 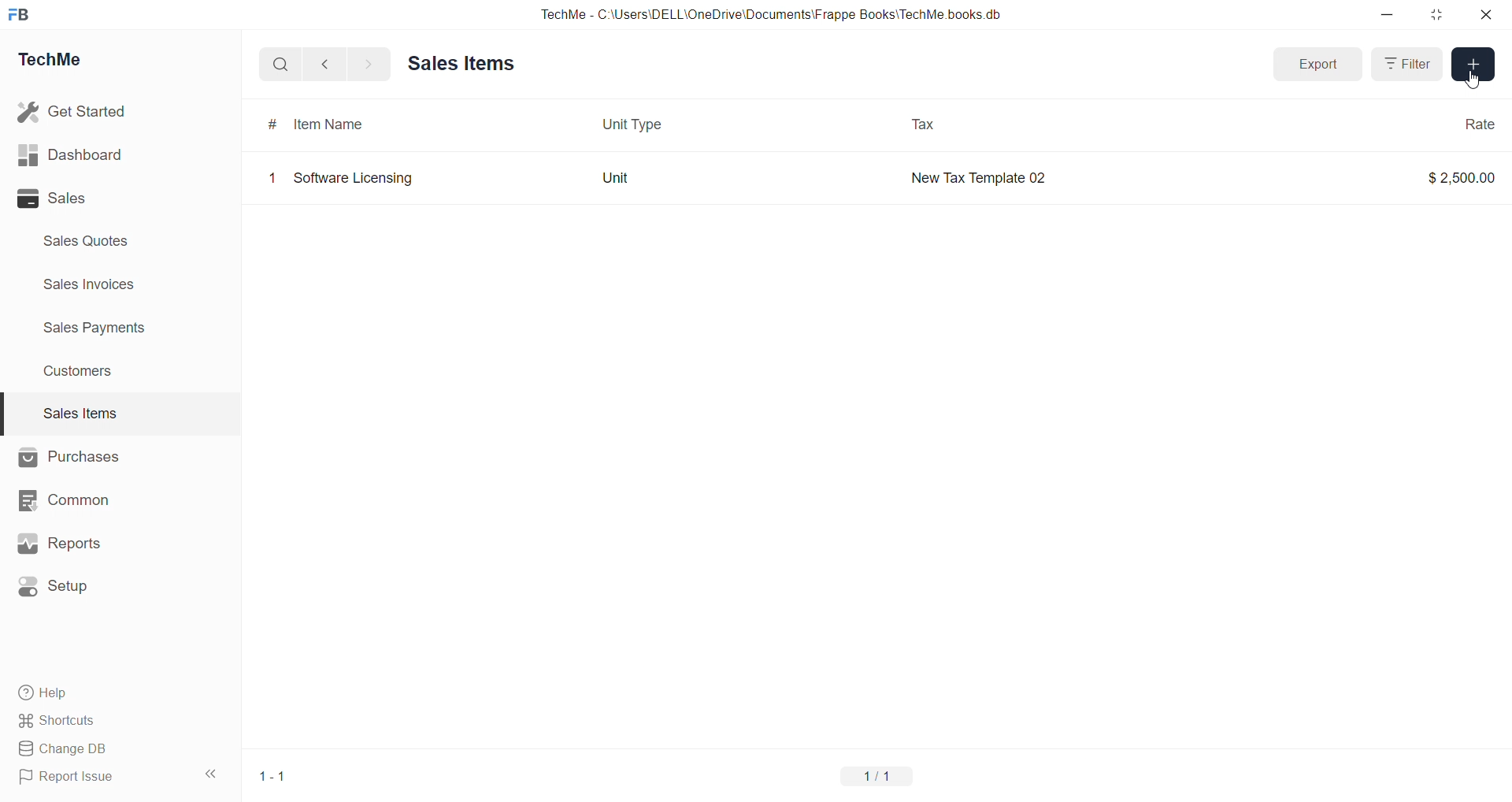 I want to click on Sales Items, so click(x=80, y=413).